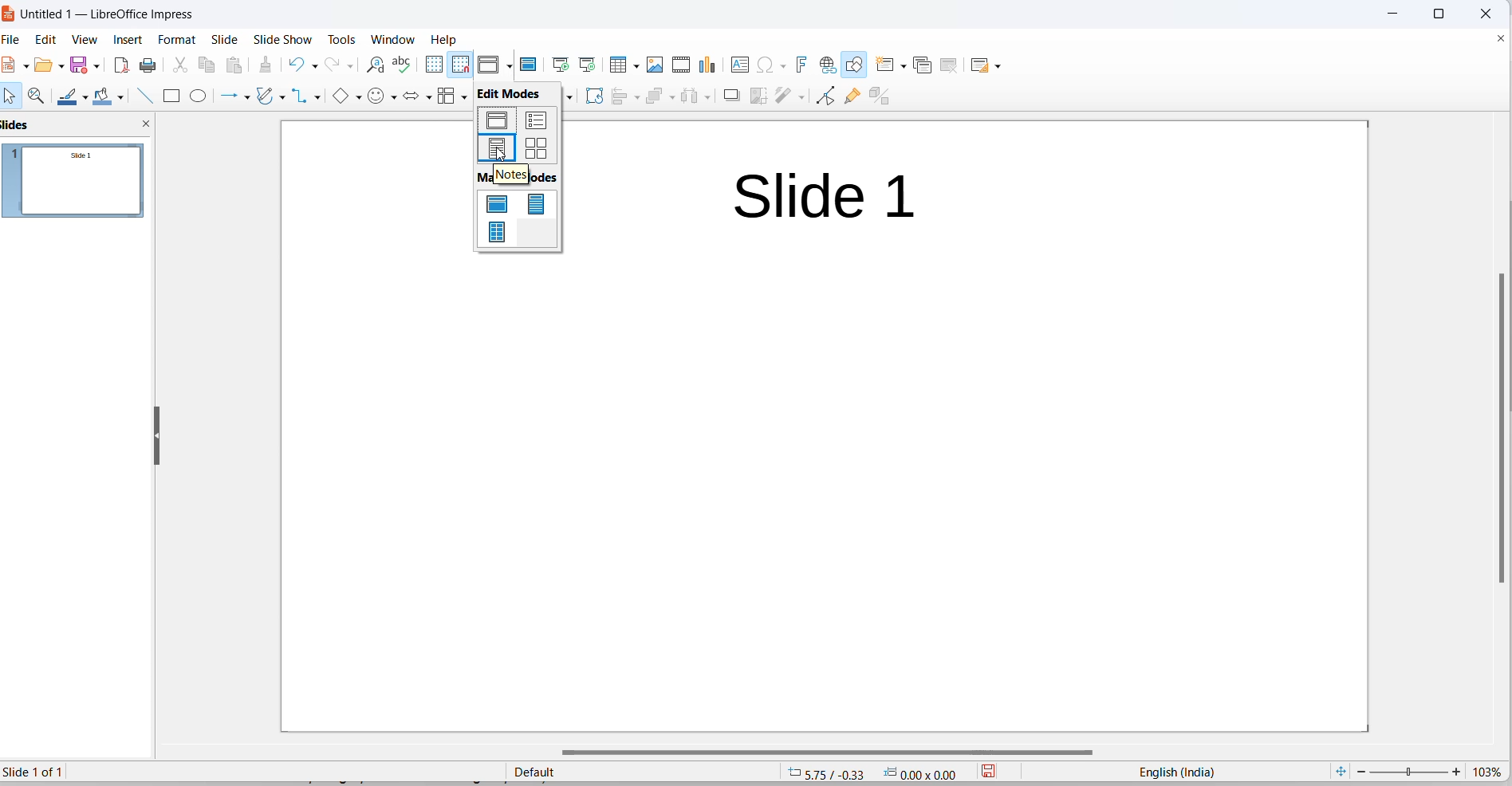 This screenshot has height=786, width=1512. What do you see at coordinates (885, 98) in the screenshot?
I see `toggle extrusion` at bounding box center [885, 98].